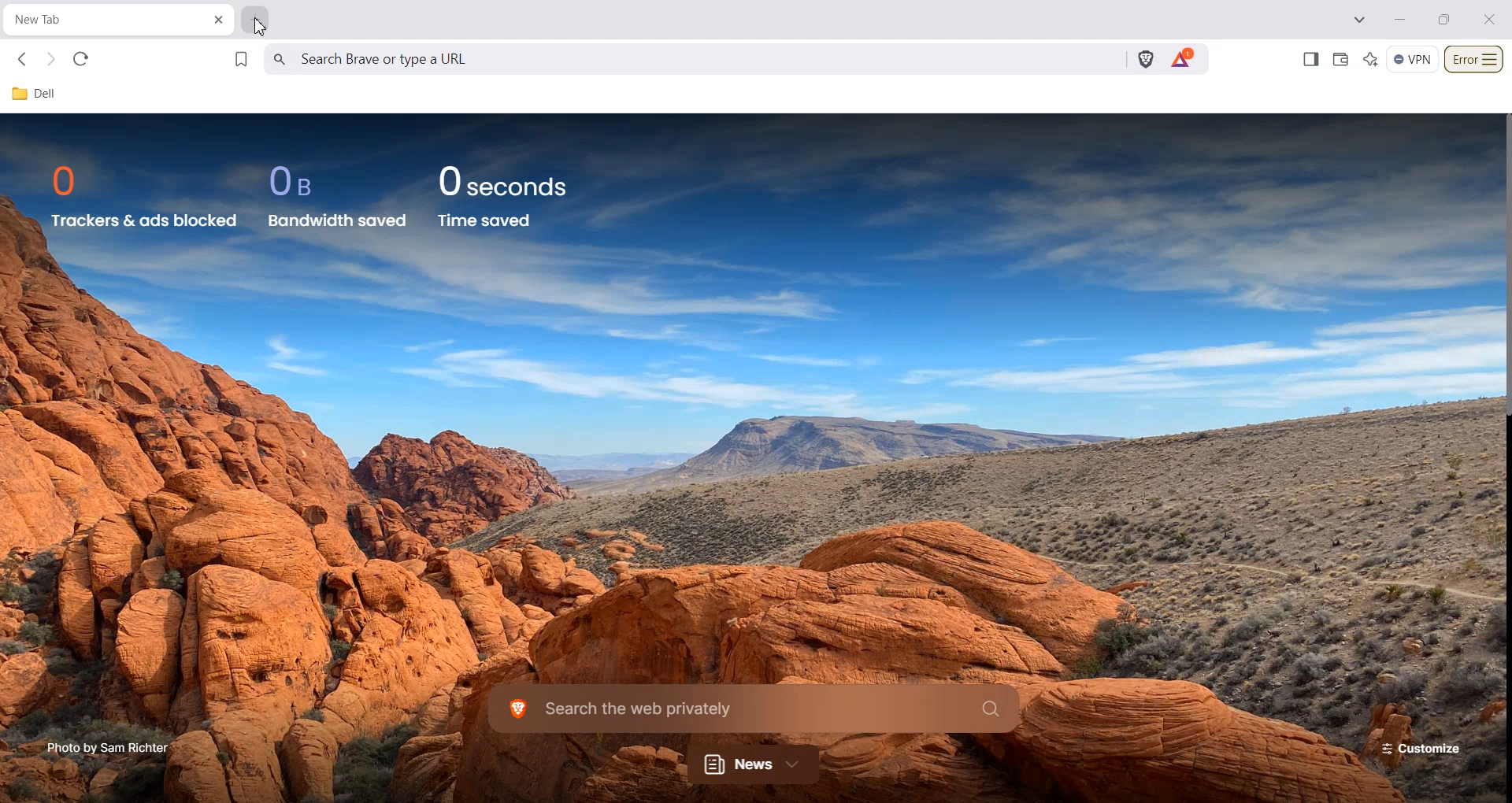 The height and width of the screenshot is (803, 1512). Describe the element at coordinates (1310, 59) in the screenshot. I see `Show sidebar` at that location.